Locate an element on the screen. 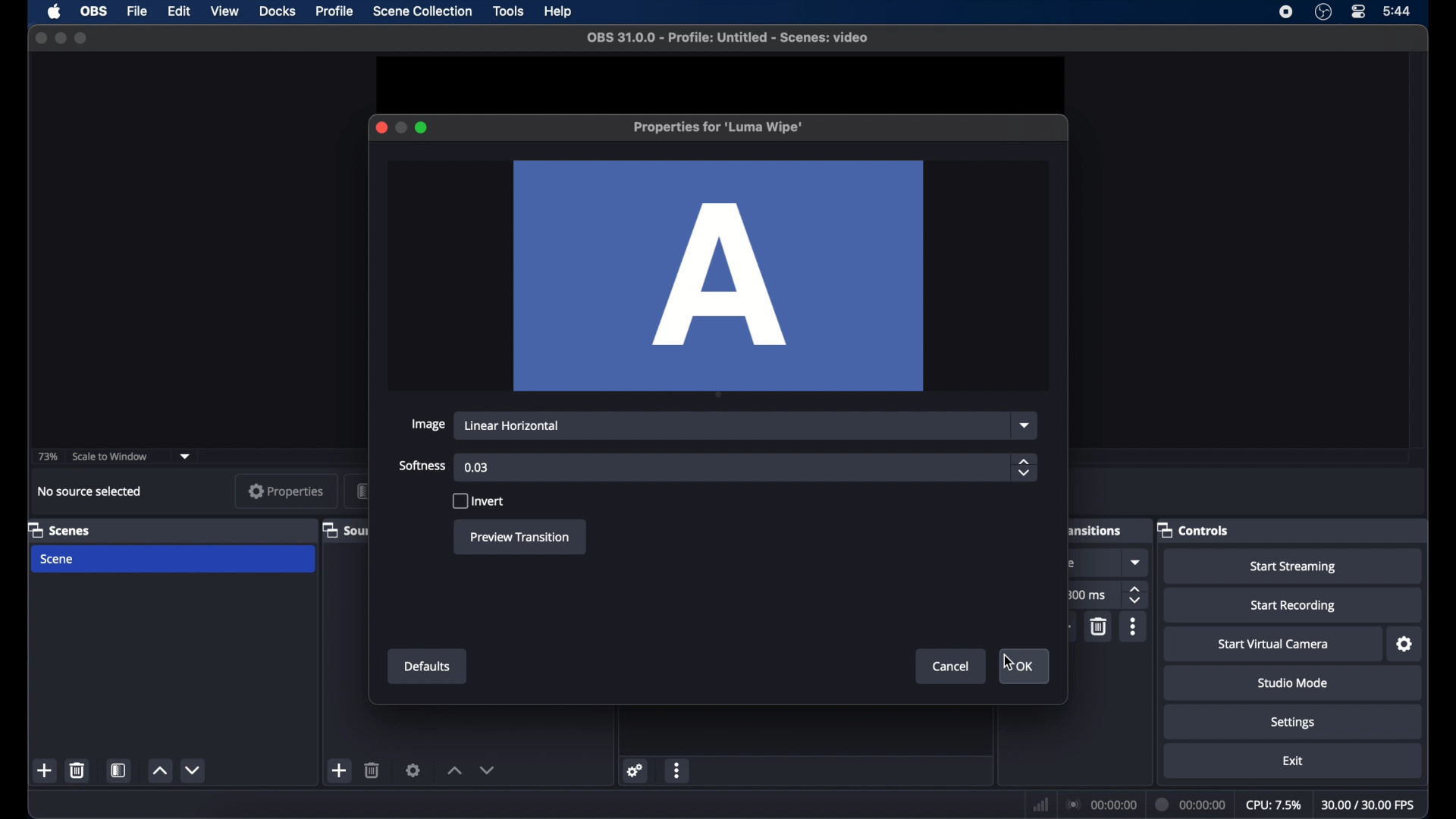  delete is located at coordinates (77, 771).